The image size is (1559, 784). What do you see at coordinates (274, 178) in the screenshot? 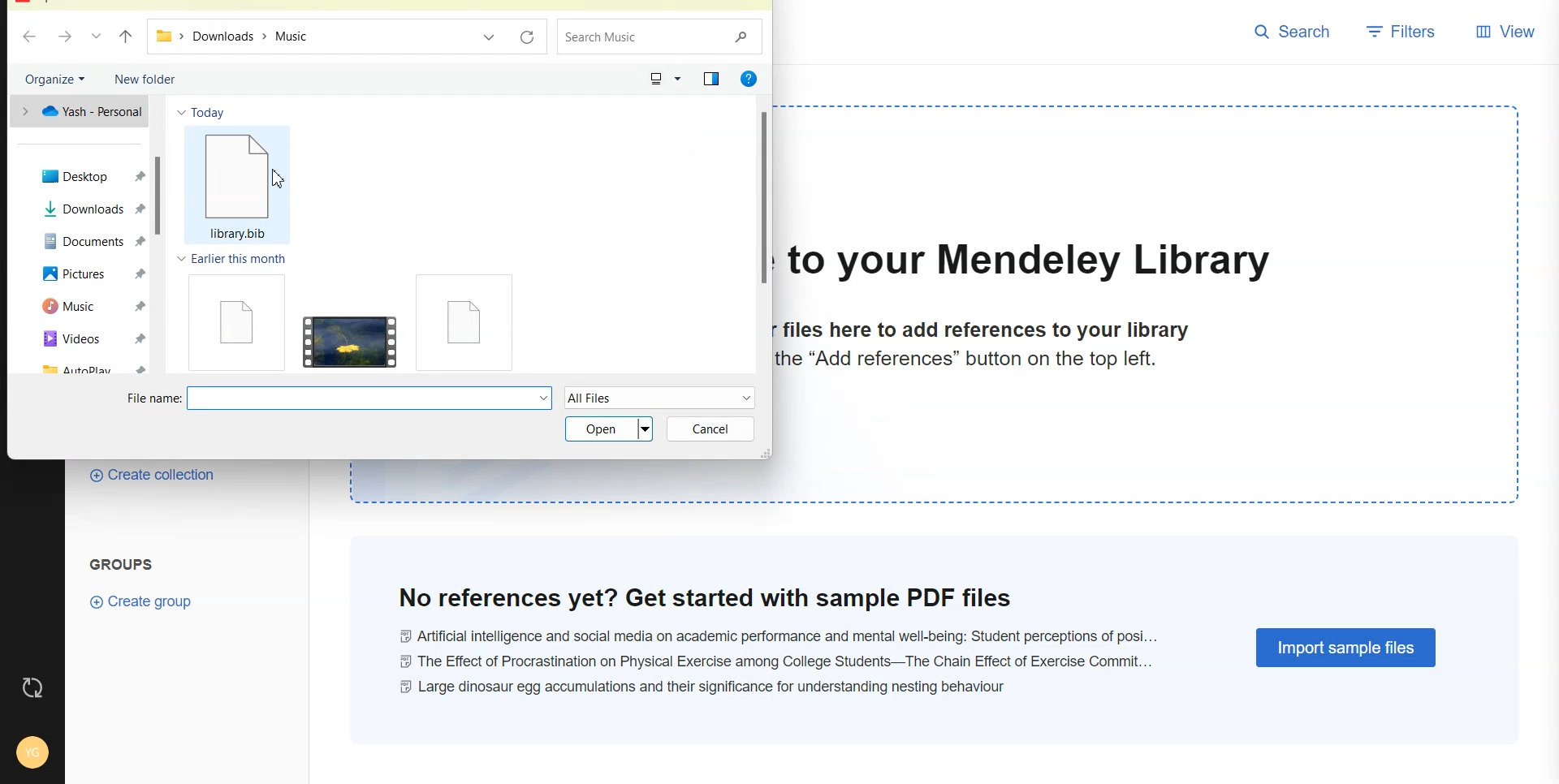
I see `Cursor` at bounding box center [274, 178].